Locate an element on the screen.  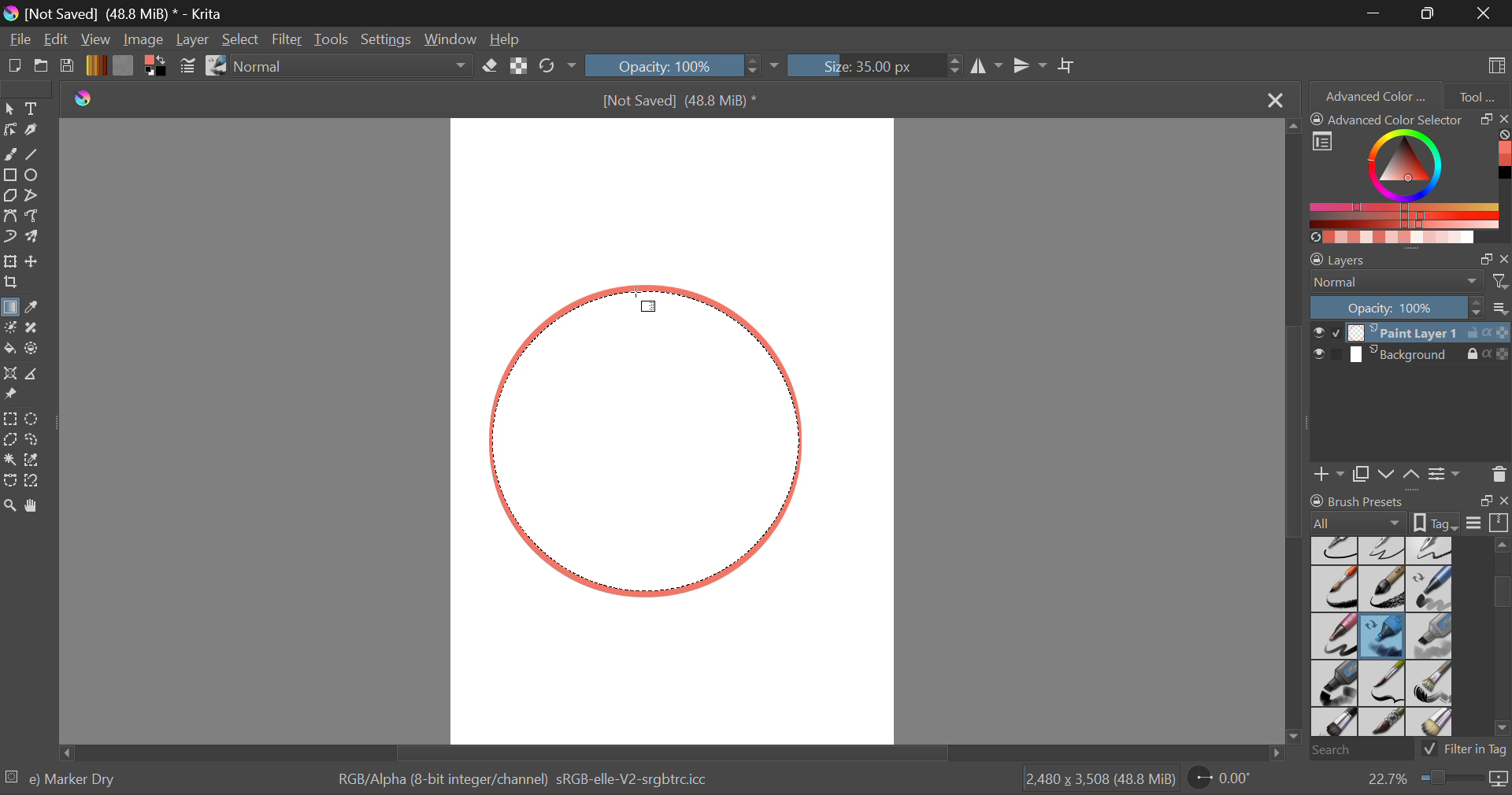
Elliptical Selection Tool is located at coordinates (32, 419).